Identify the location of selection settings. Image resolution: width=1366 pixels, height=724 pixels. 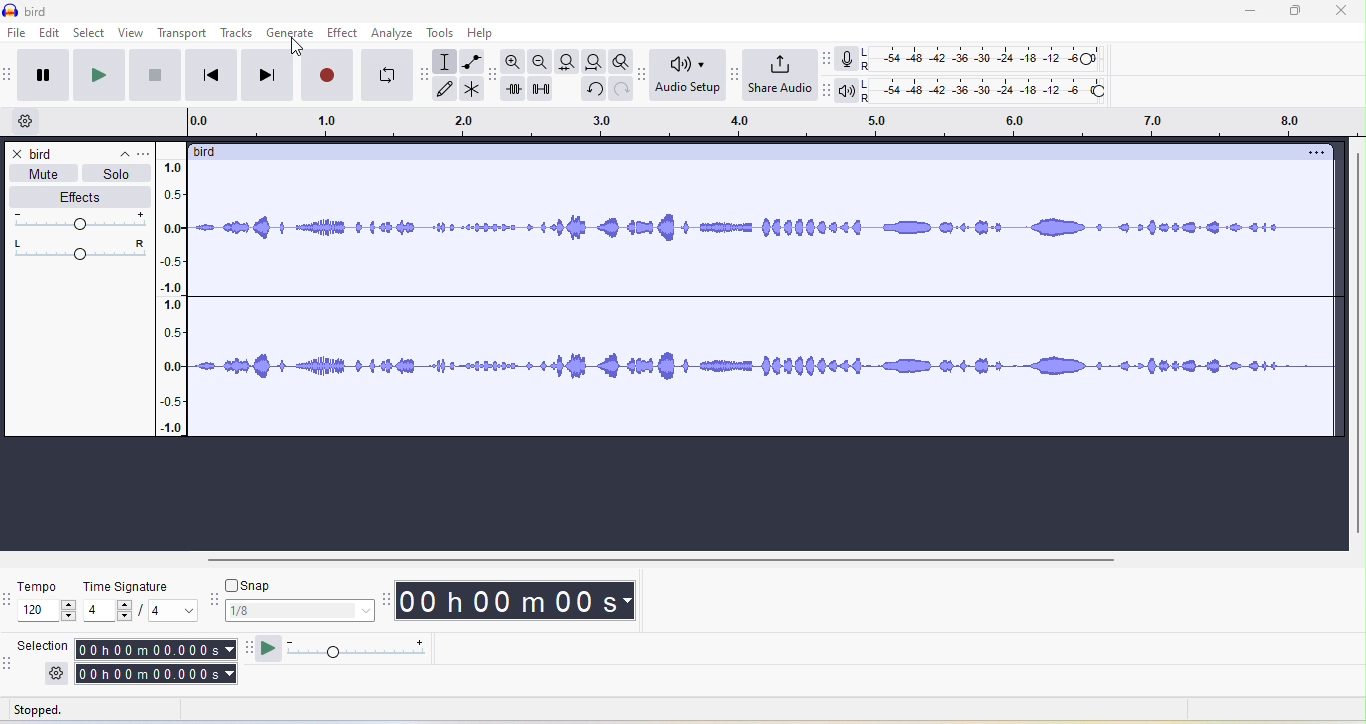
(56, 673).